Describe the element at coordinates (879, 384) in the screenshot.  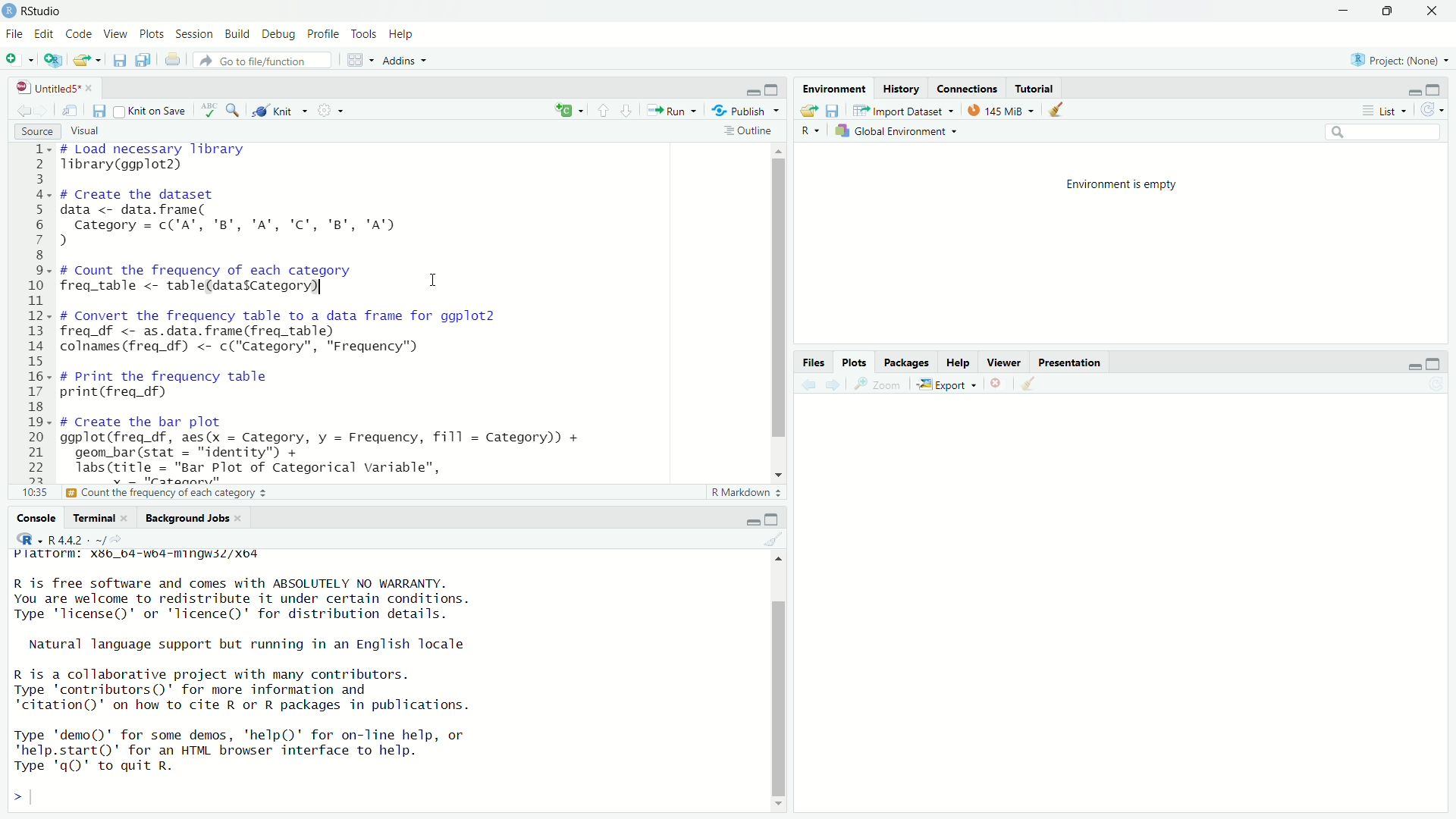
I see `zoom` at that location.